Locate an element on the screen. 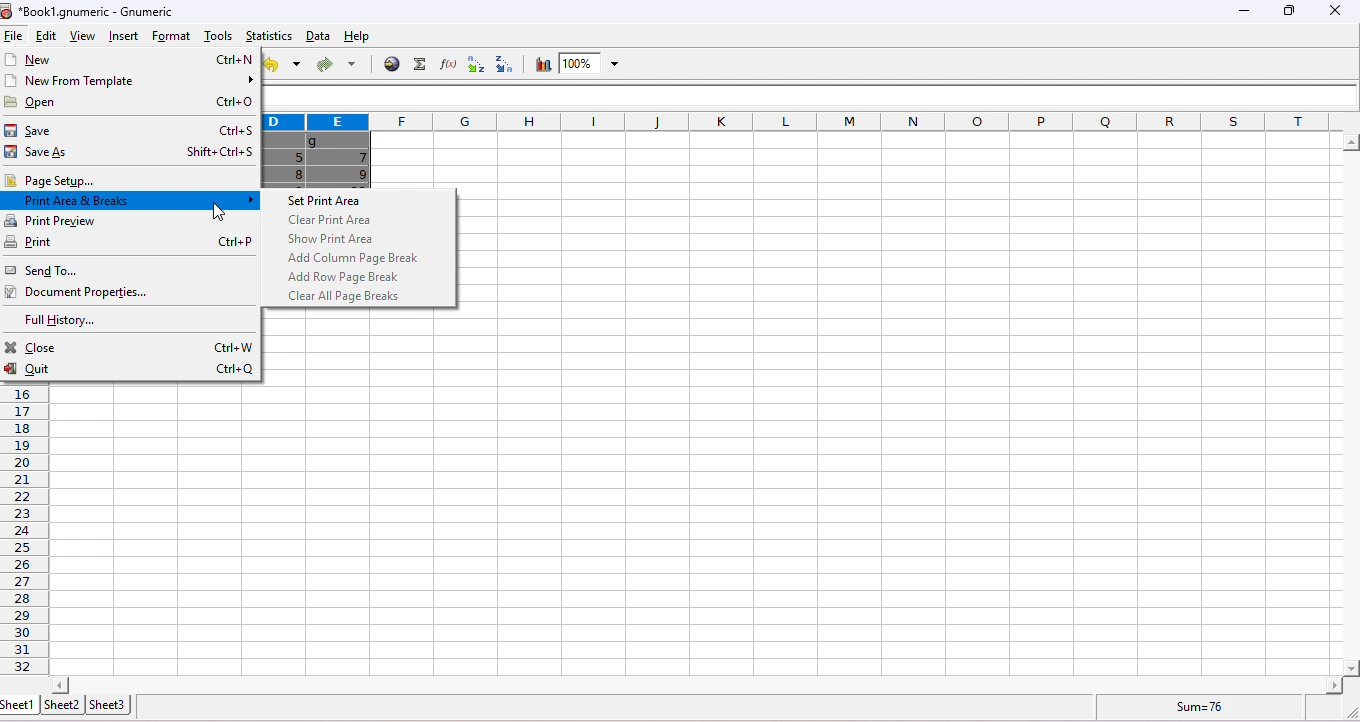 The width and height of the screenshot is (1360, 722). close is located at coordinates (133, 347).